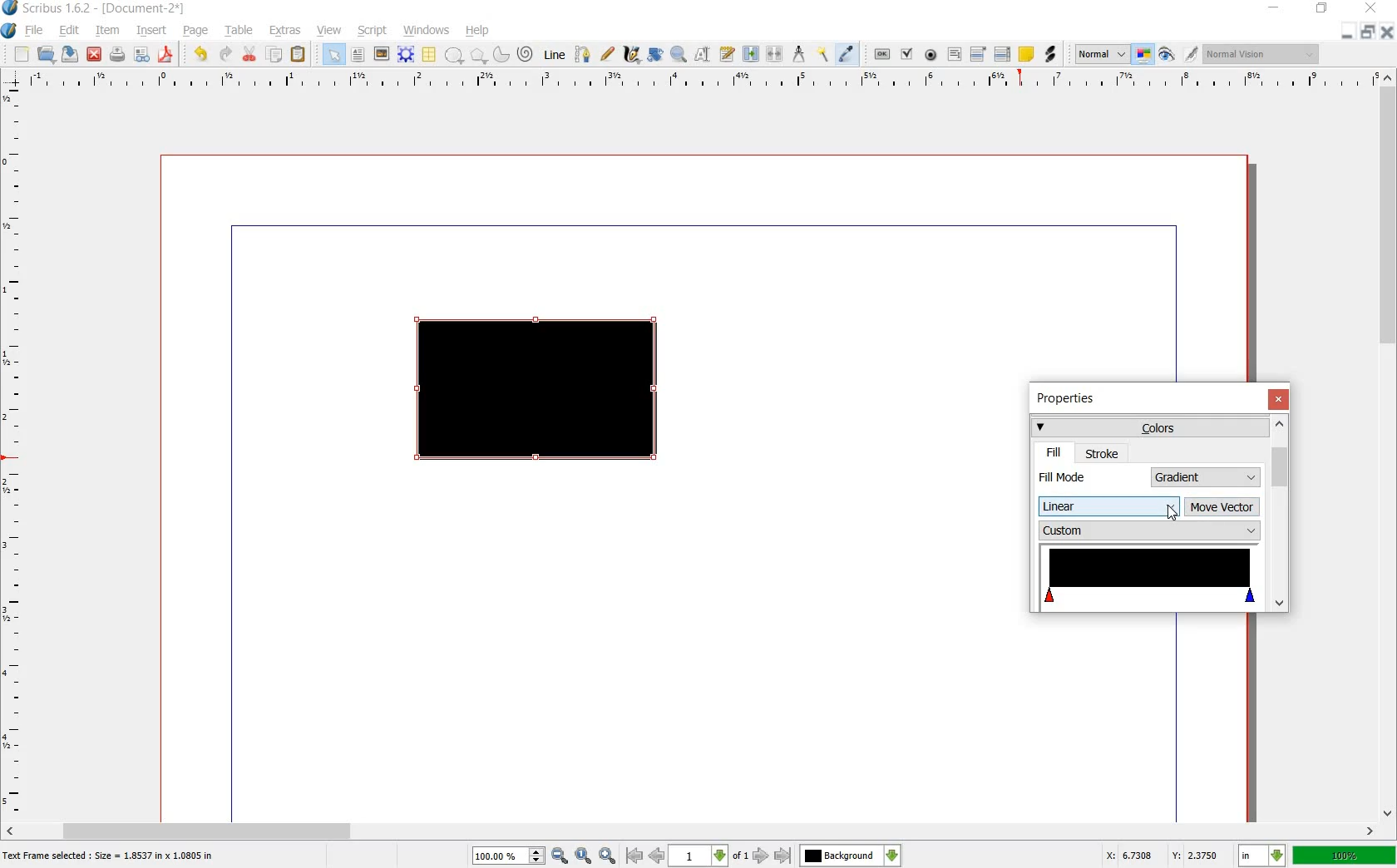 The image size is (1397, 868). I want to click on logo, so click(11, 9).